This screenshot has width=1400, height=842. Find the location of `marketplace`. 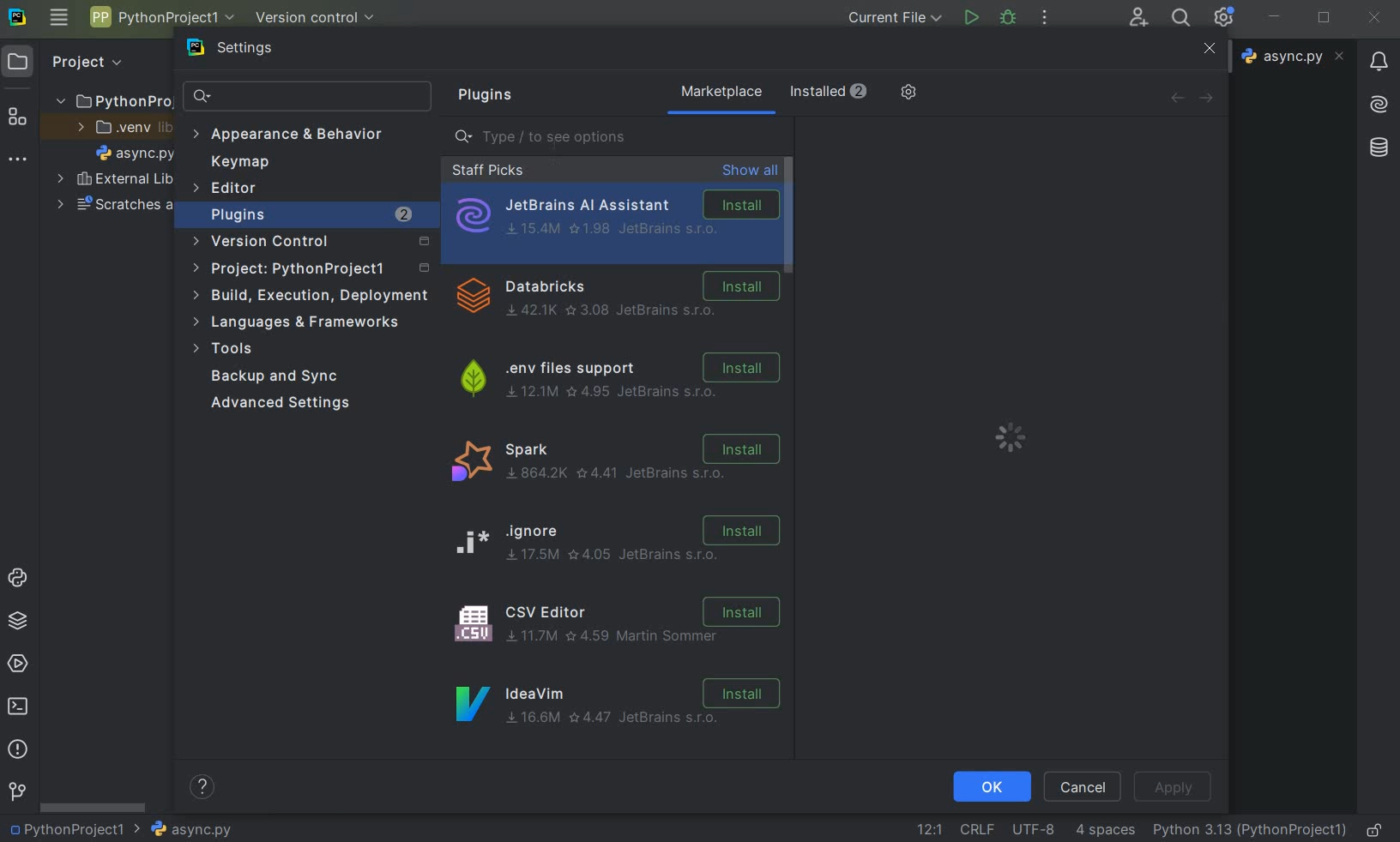

marketplace is located at coordinates (722, 92).